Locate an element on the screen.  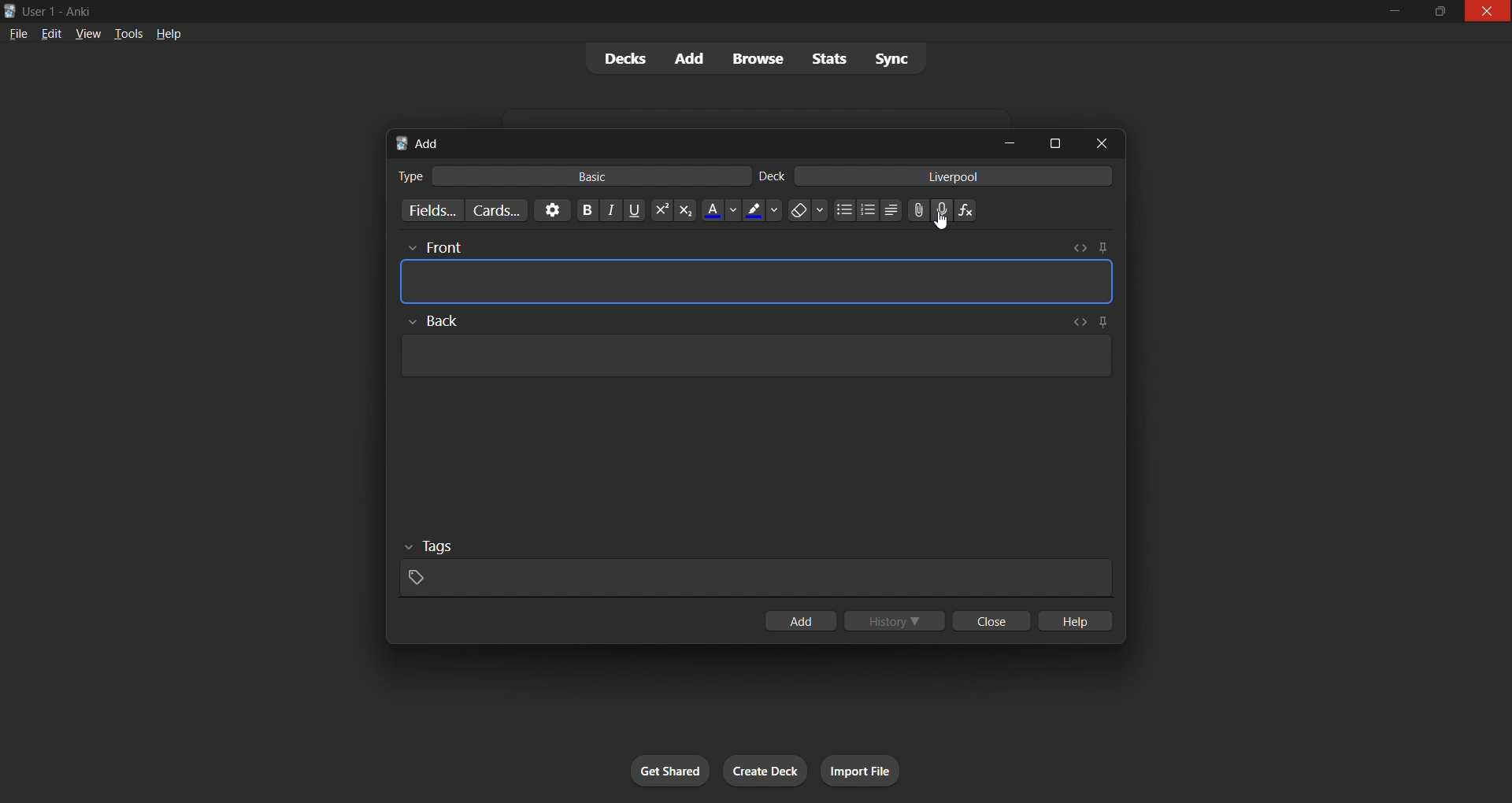
font highlight is located at coordinates (762, 211).